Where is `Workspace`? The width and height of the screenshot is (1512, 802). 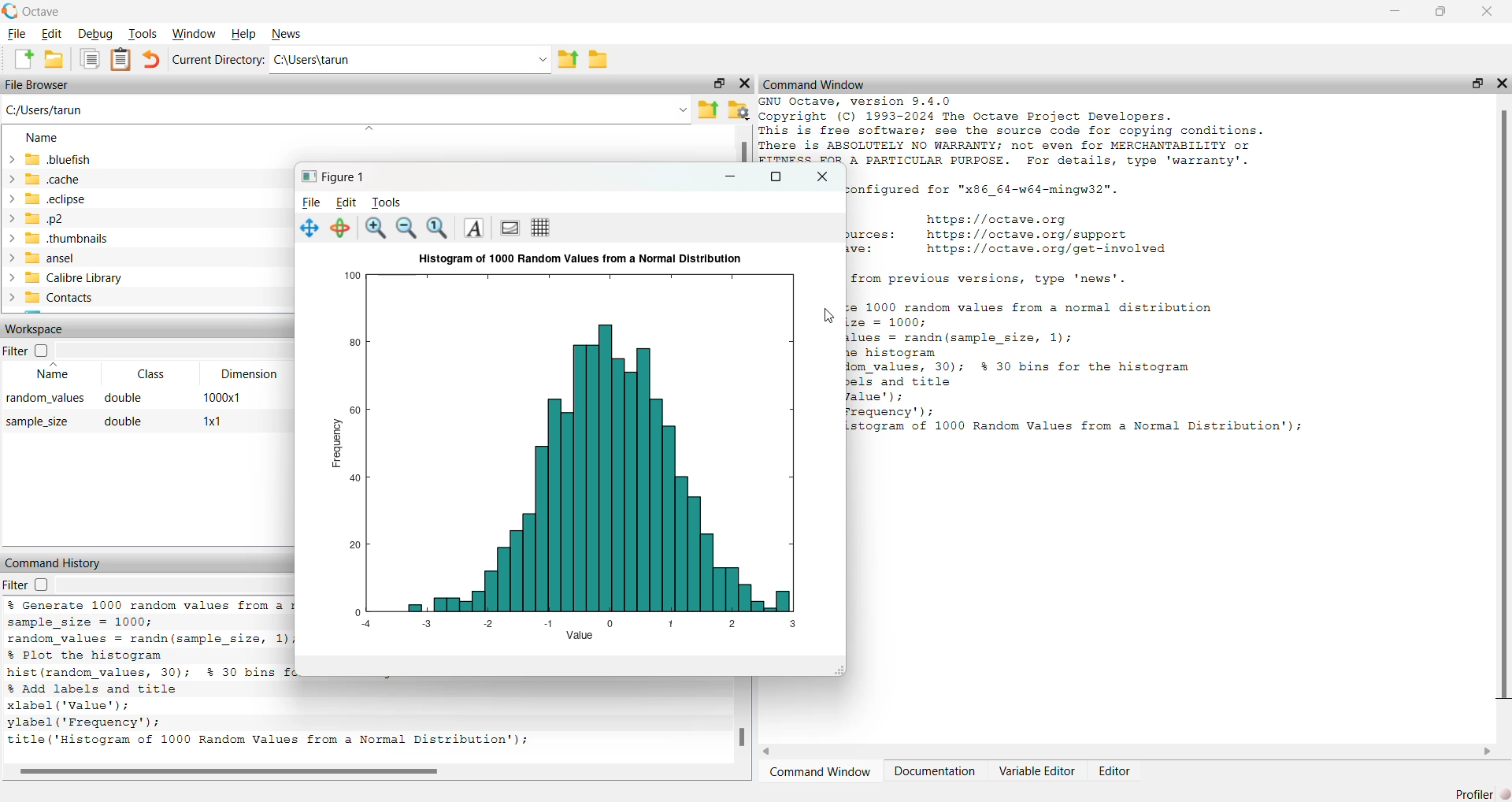
Workspace is located at coordinates (38, 330).